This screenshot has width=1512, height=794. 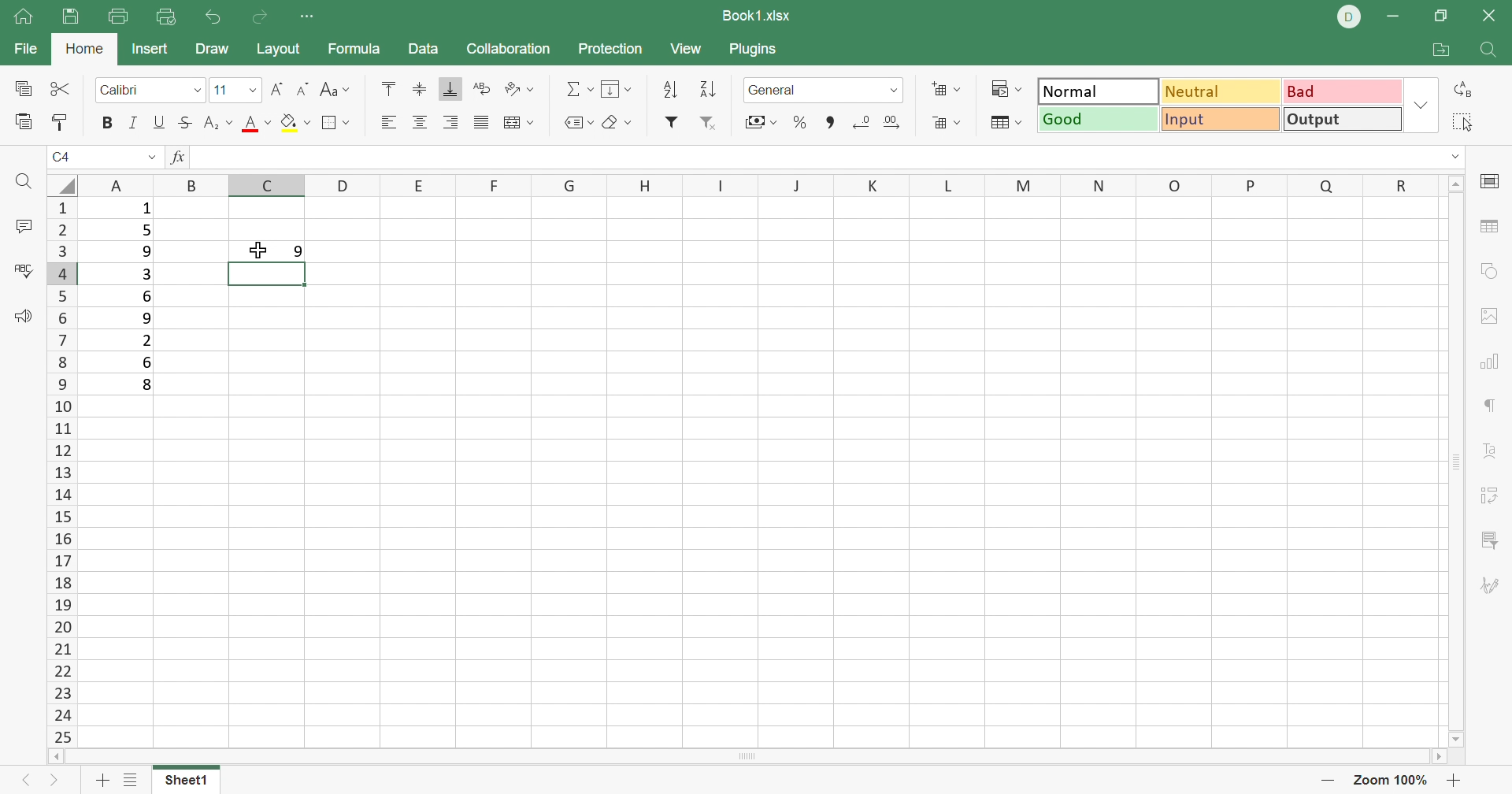 I want to click on Borders, so click(x=338, y=123).